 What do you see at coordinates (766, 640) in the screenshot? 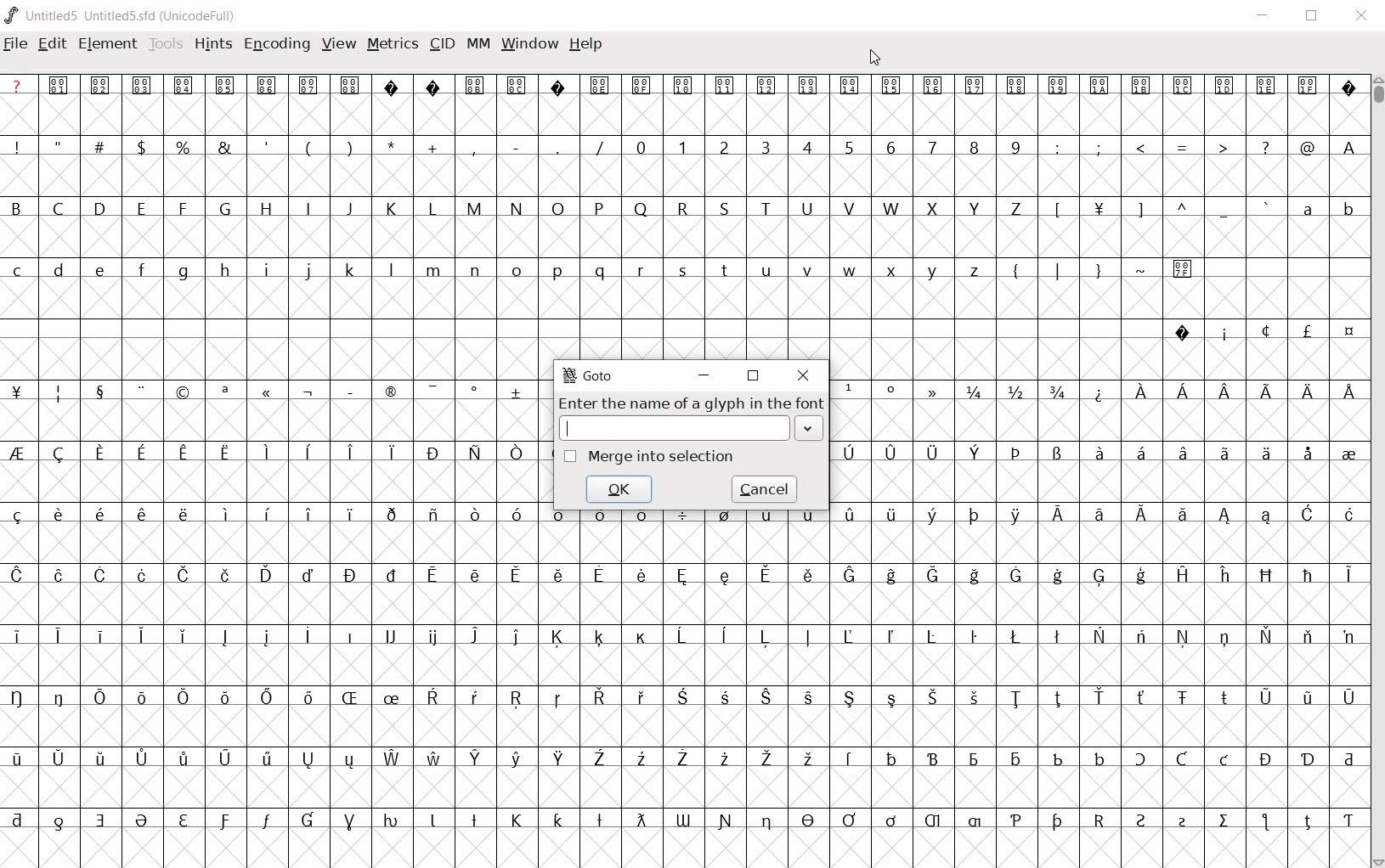
I see `Symbol` at bounding box center [766, 640].